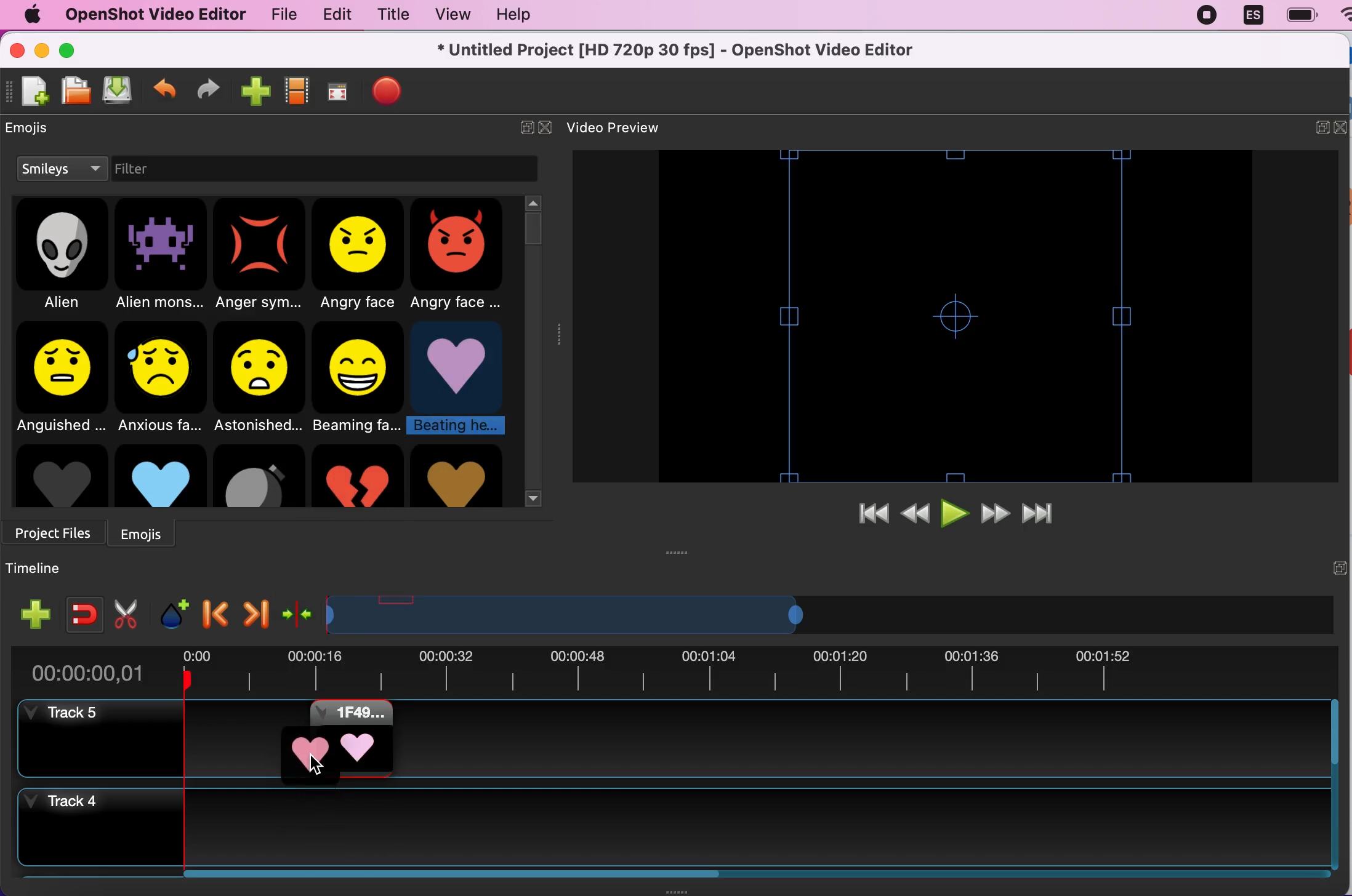 The width and height of the screenshot is (1352, 896). What do you see at coordinates (673, 672) in the screenshot?
I see `time duration` at bounding box center [673, 672].